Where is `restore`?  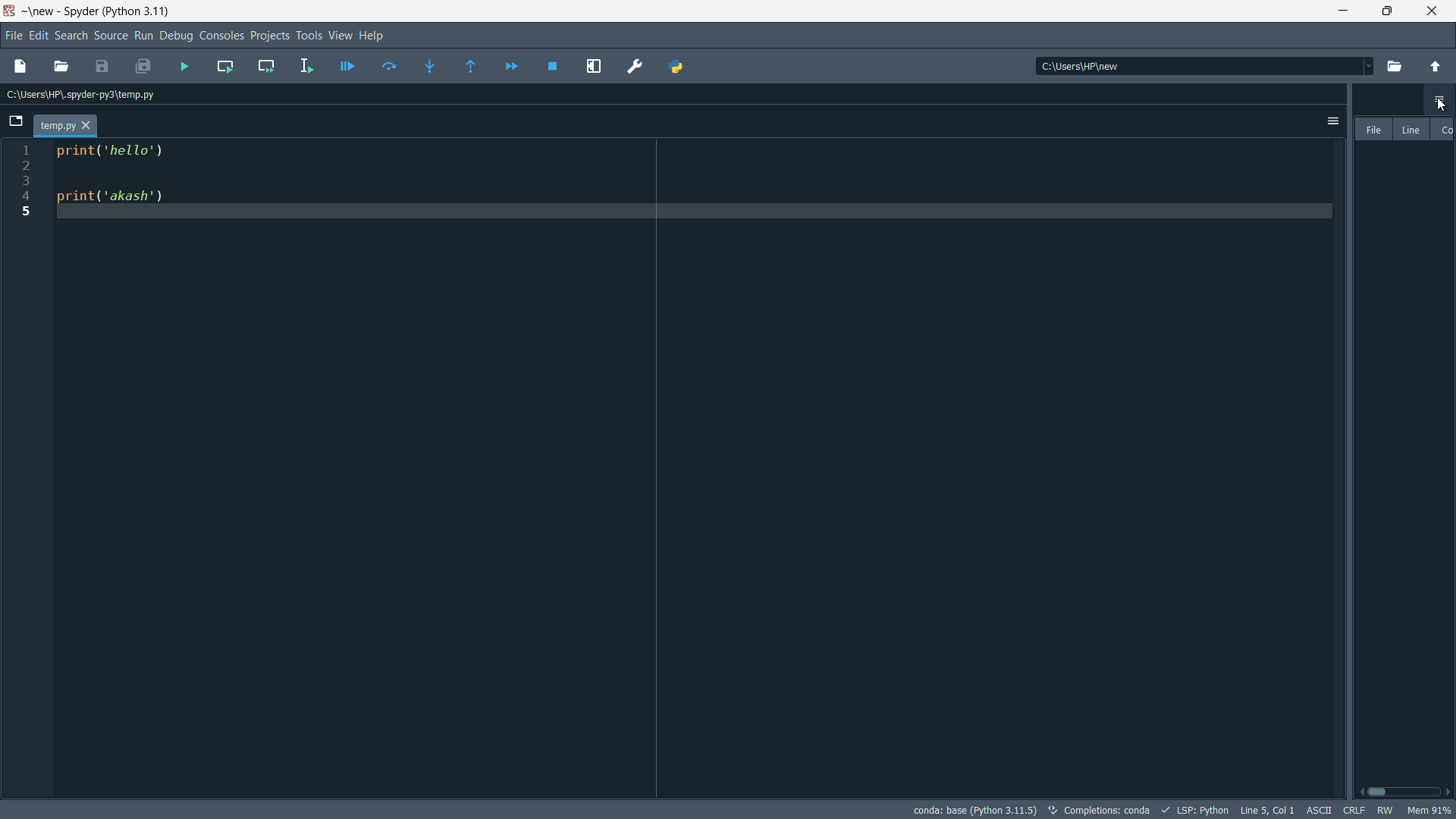 restore is located at coordinates (1387, 11).